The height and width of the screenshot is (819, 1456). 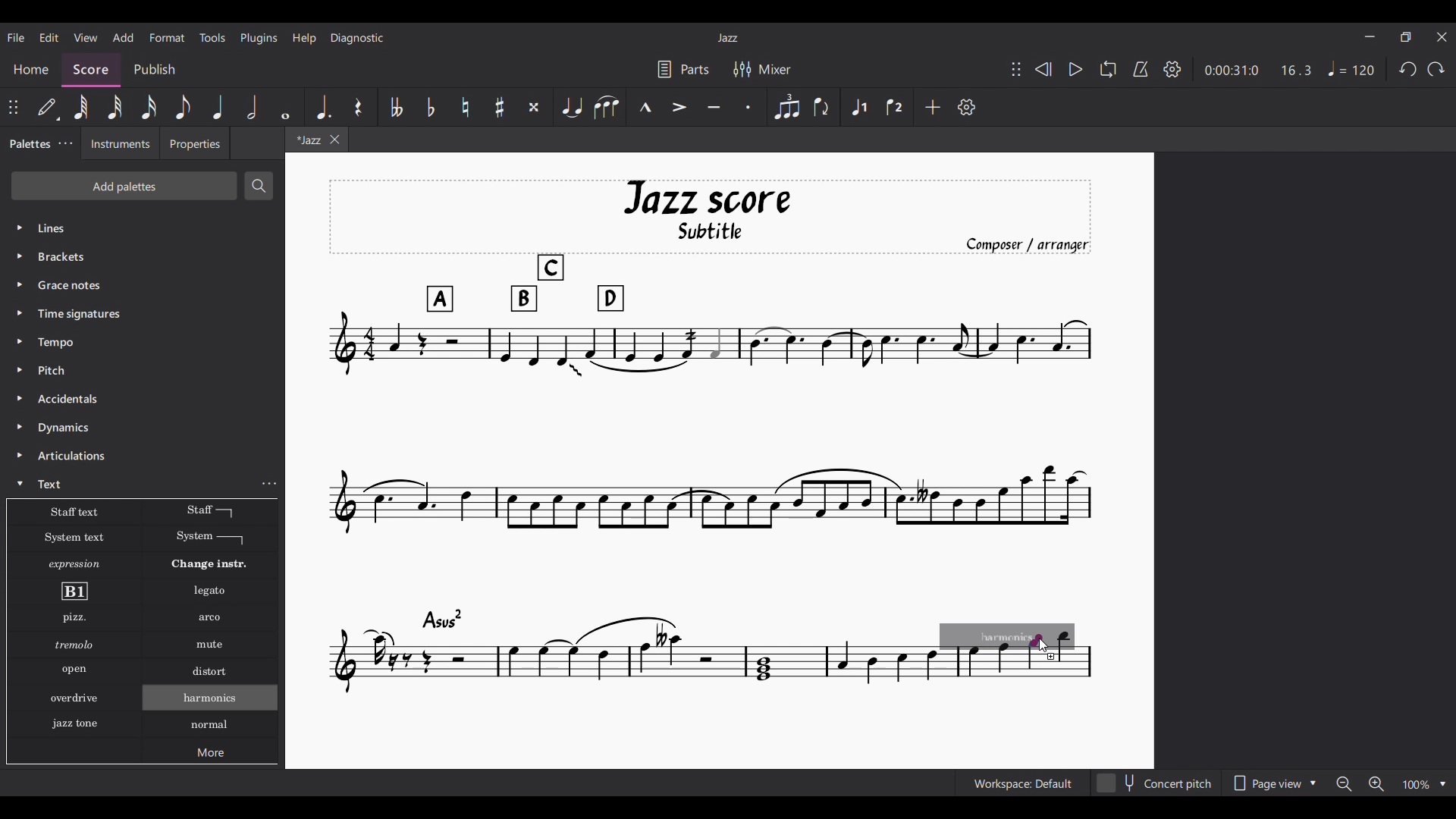 I want to click on Redo, so click(x=1436, y=69).